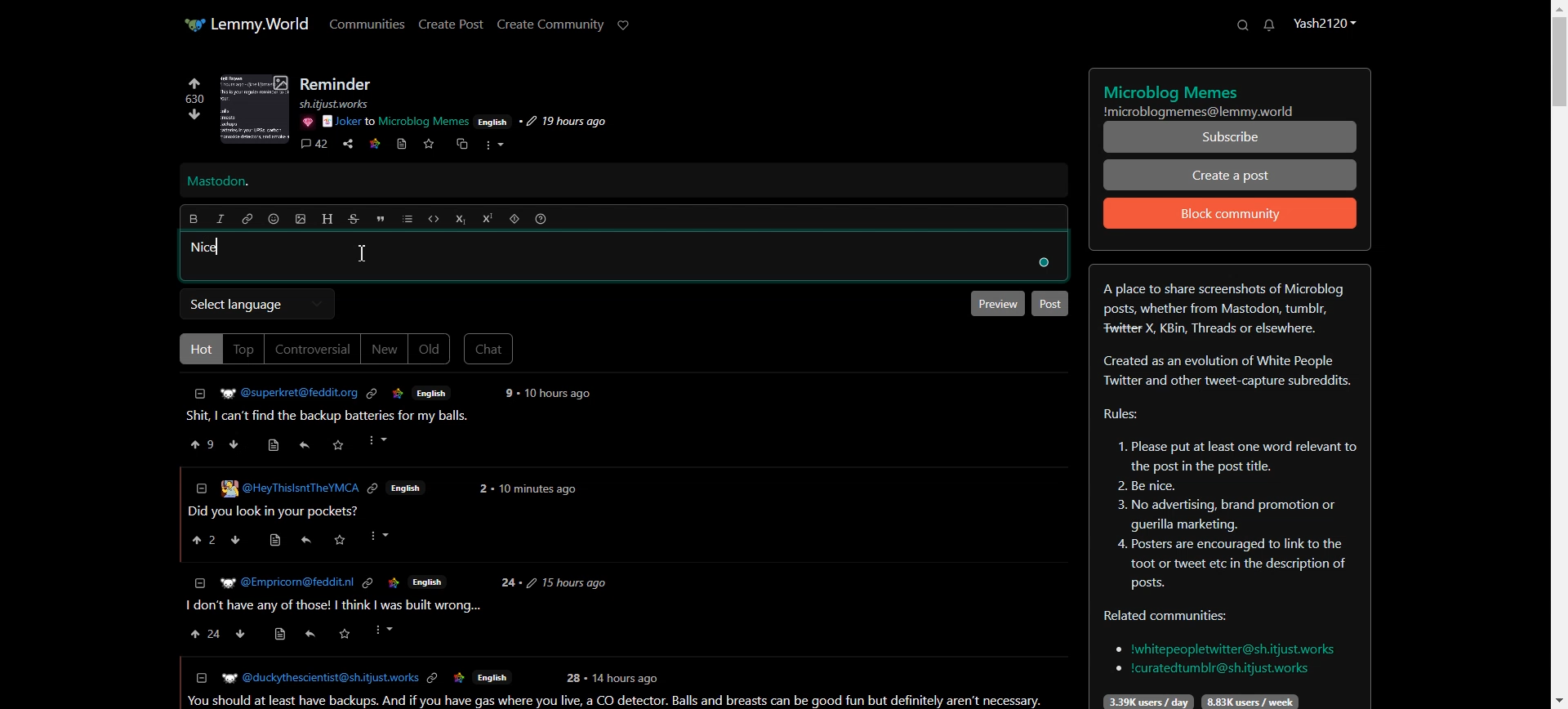 Image resolution: width=1568 pixels, height=709 pixels. I want to click on » 2, so click(200, 542).